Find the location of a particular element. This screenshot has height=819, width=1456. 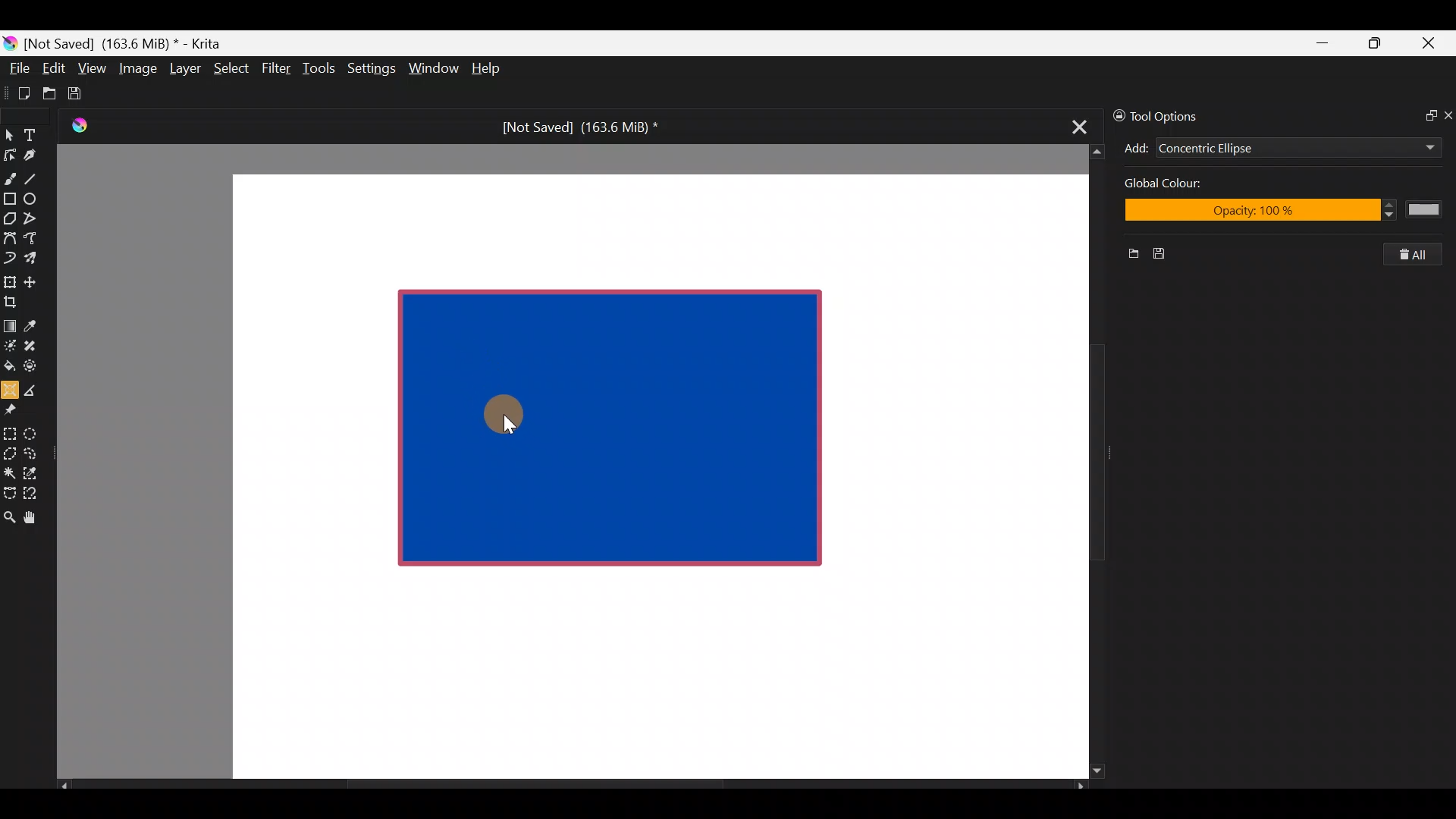

Select is located at coordinates (232, 67).